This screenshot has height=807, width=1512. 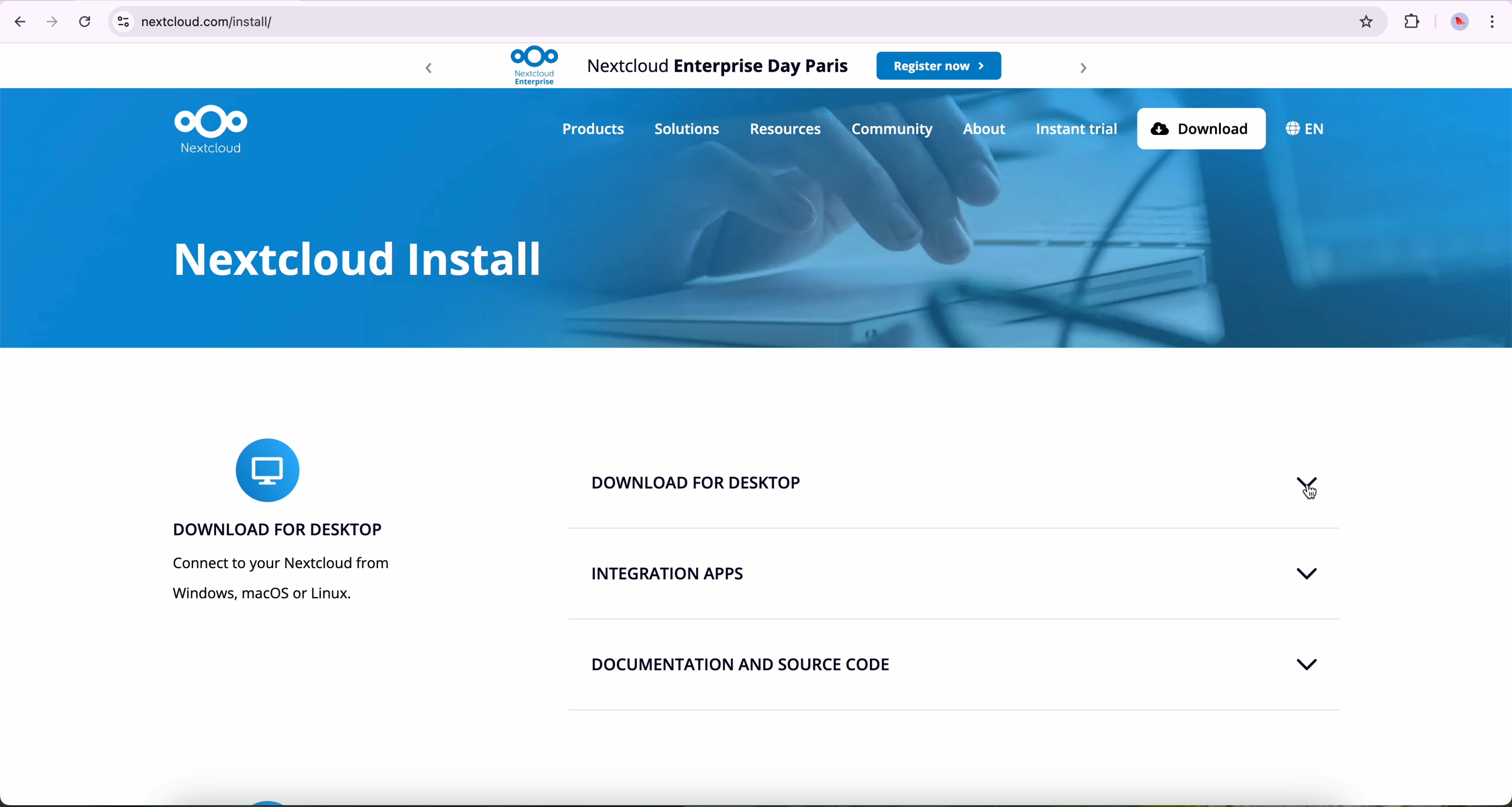 I want to click on refresh the page, so click(x=88, y=22).